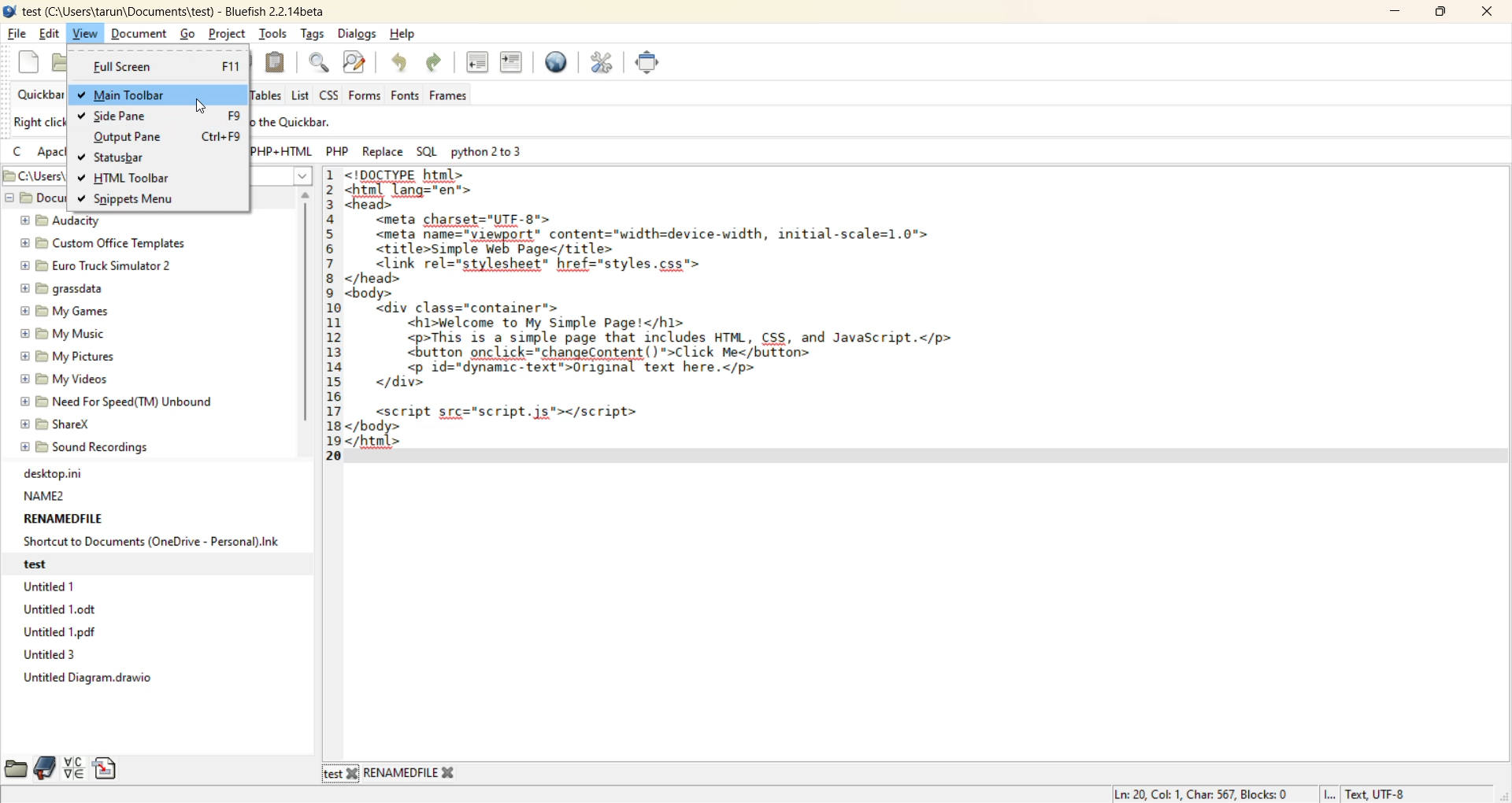 This screenshot has width=1512, height=803. What do you see at coordinates (163, 67) in the screenshot?
I see `fullscreen` at bounding box center [163, 67].